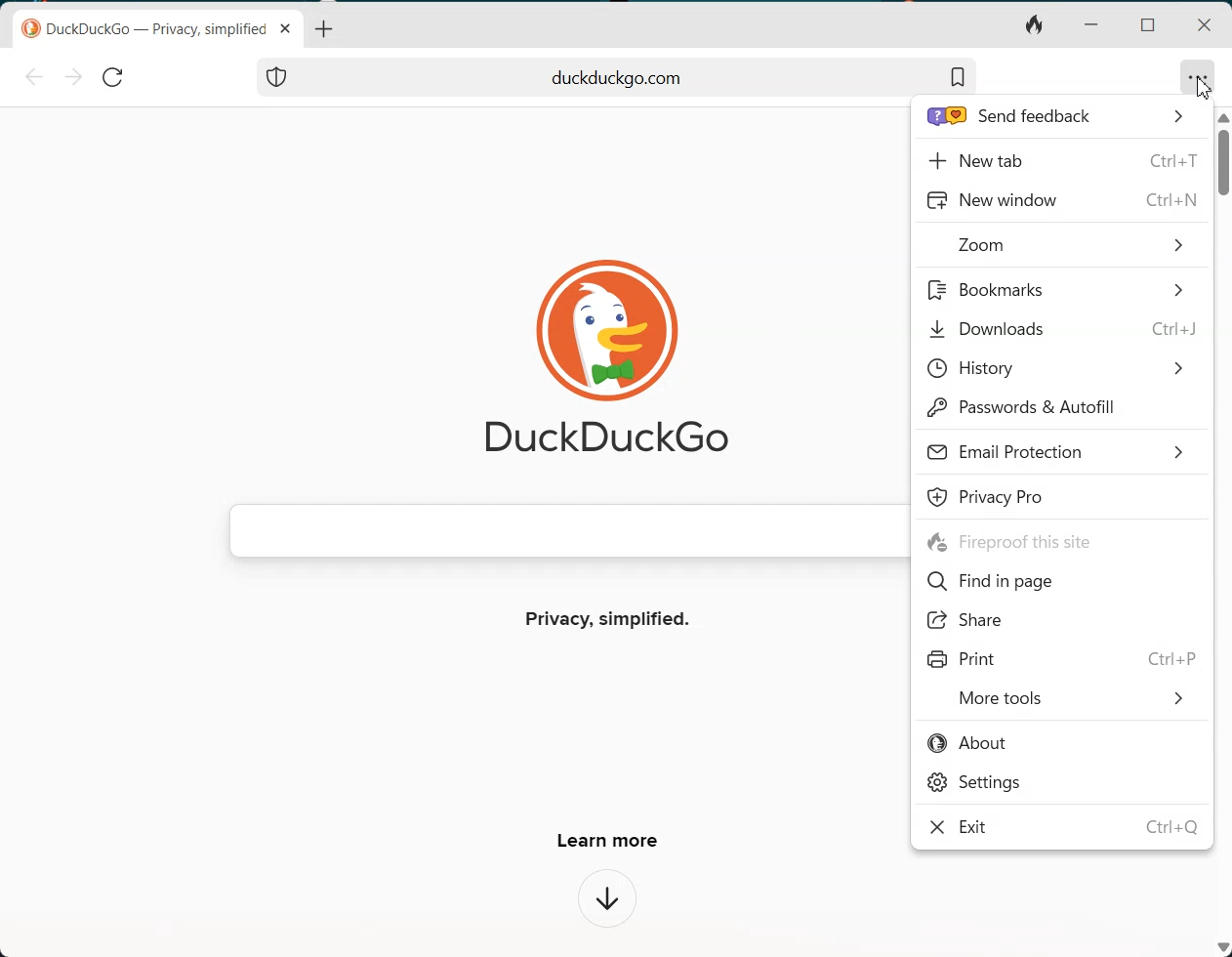 The width and height of the screenshot is (1232, 957). What do you see at coordinates (1061, 828) in the screenshot?
I see `Exit` at bounding box center [1061, 828].